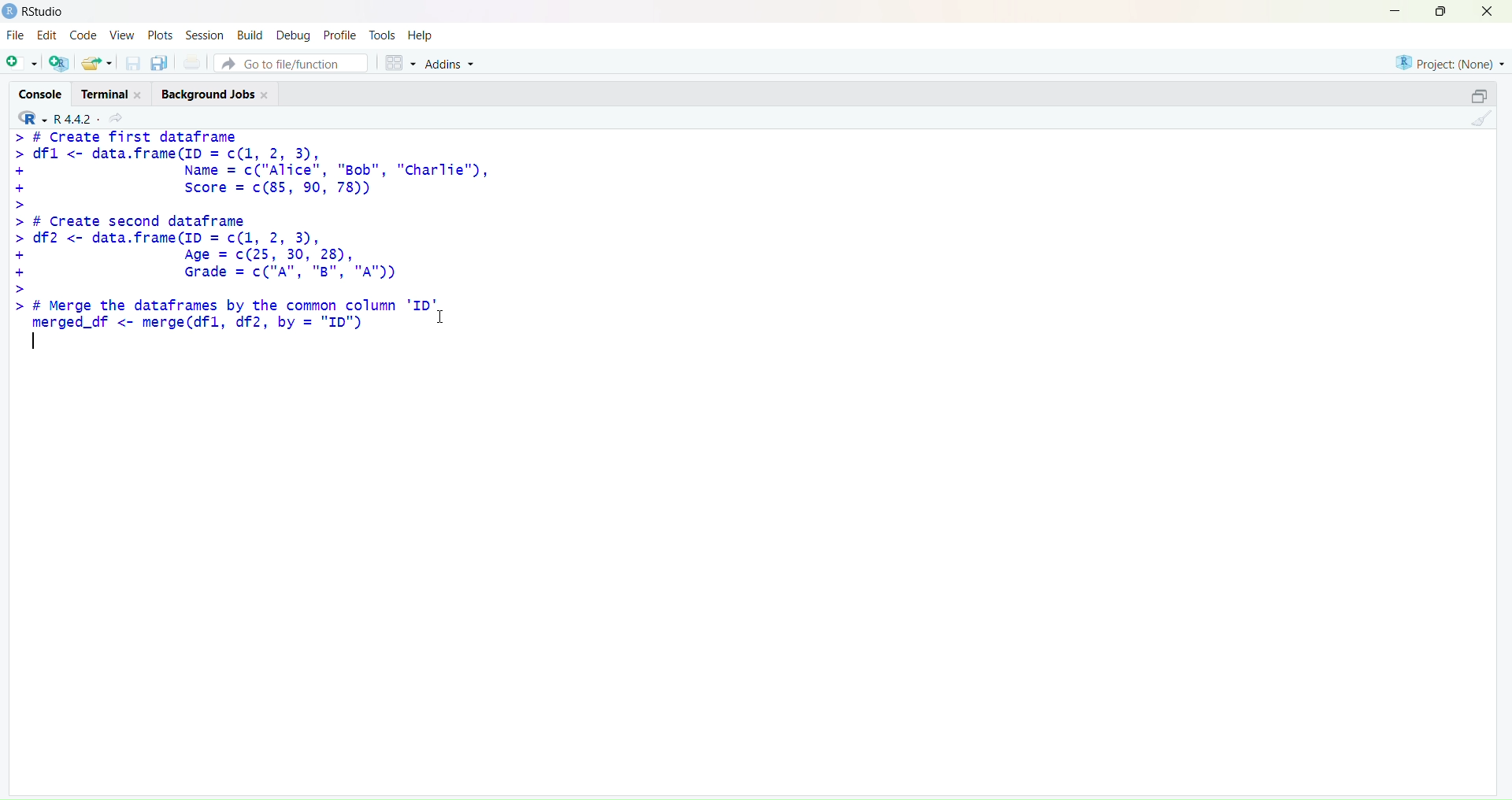  I want to click on Console, so click(41, 93).